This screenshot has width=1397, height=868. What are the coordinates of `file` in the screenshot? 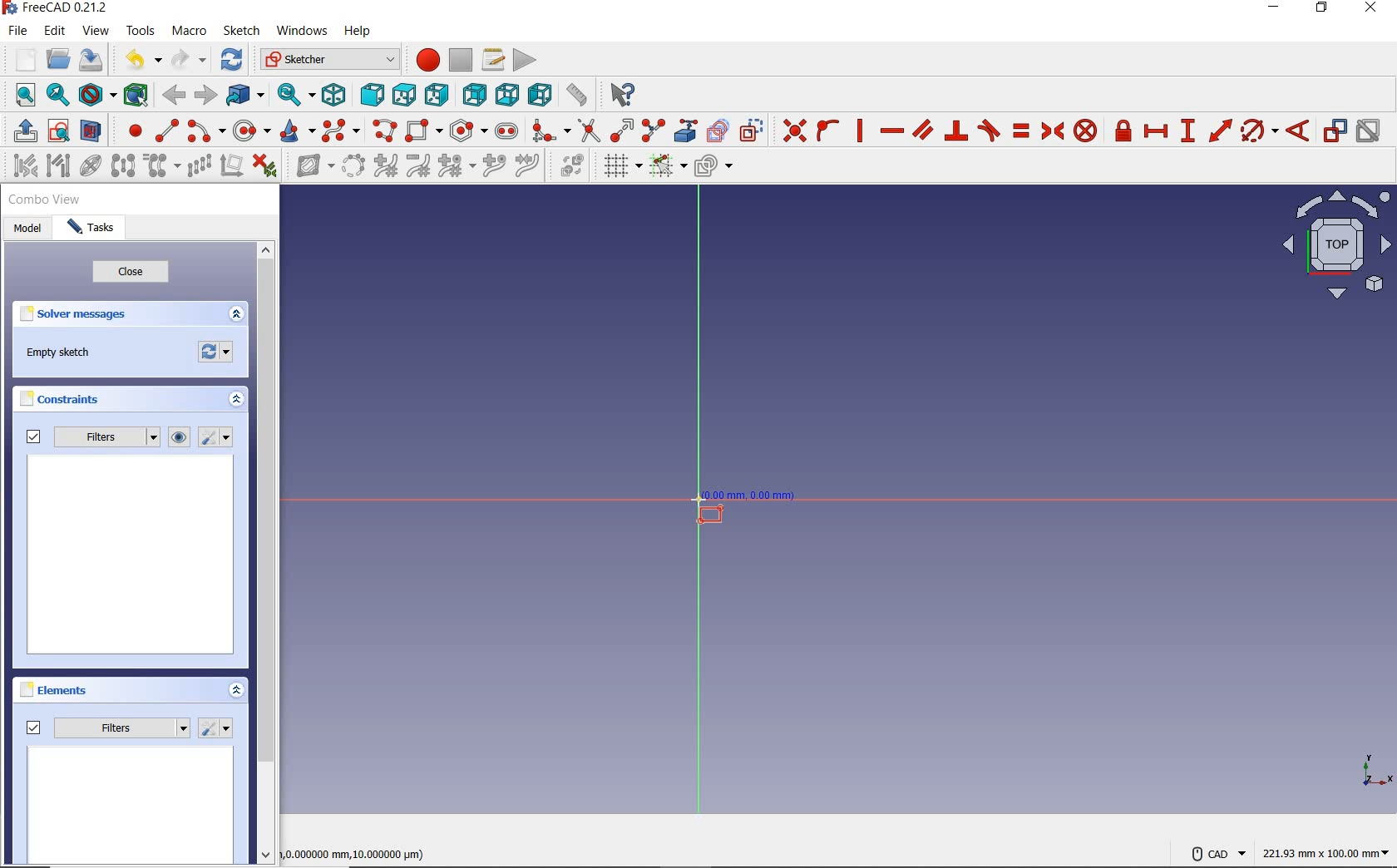 It's located at (18, 31).